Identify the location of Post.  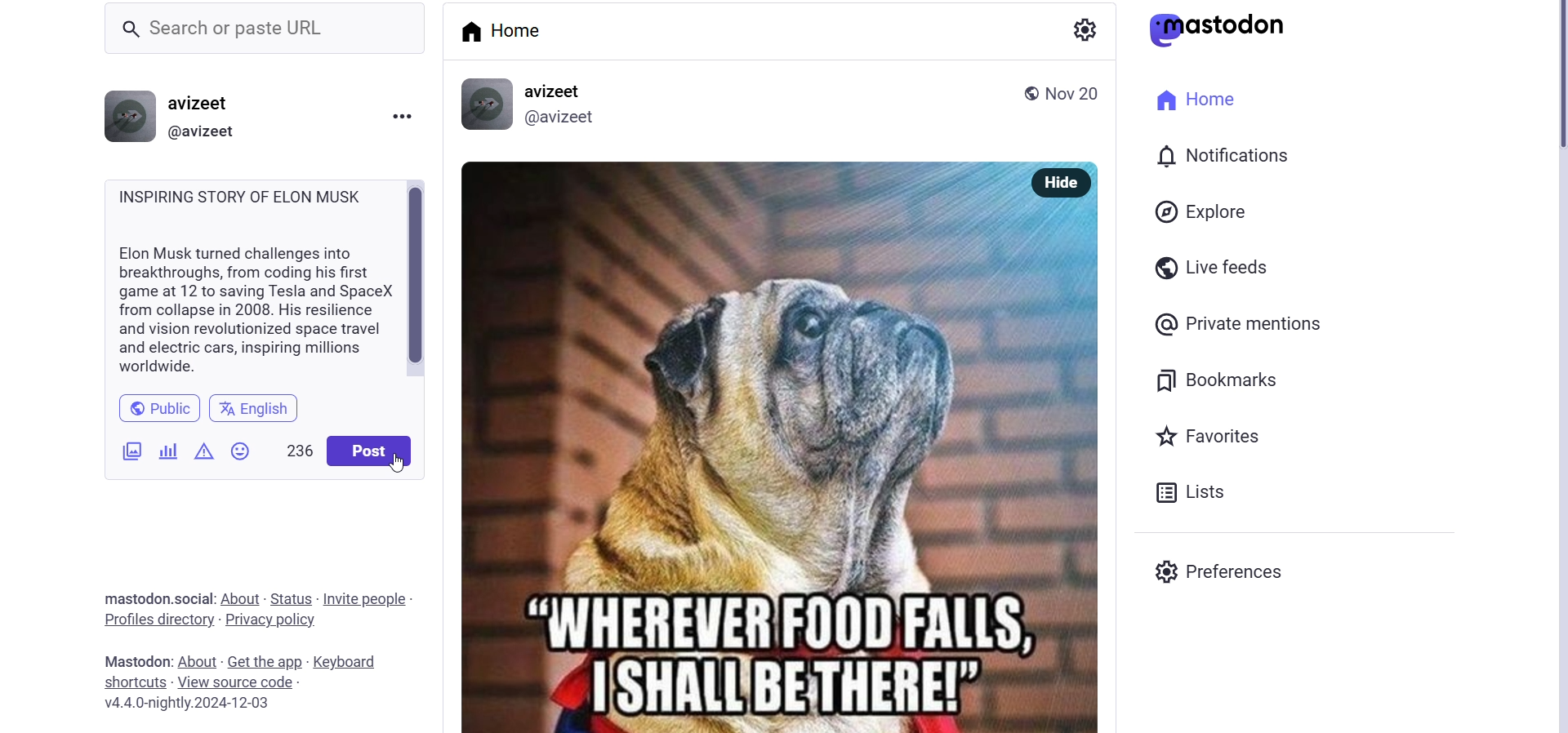
(782, 471).